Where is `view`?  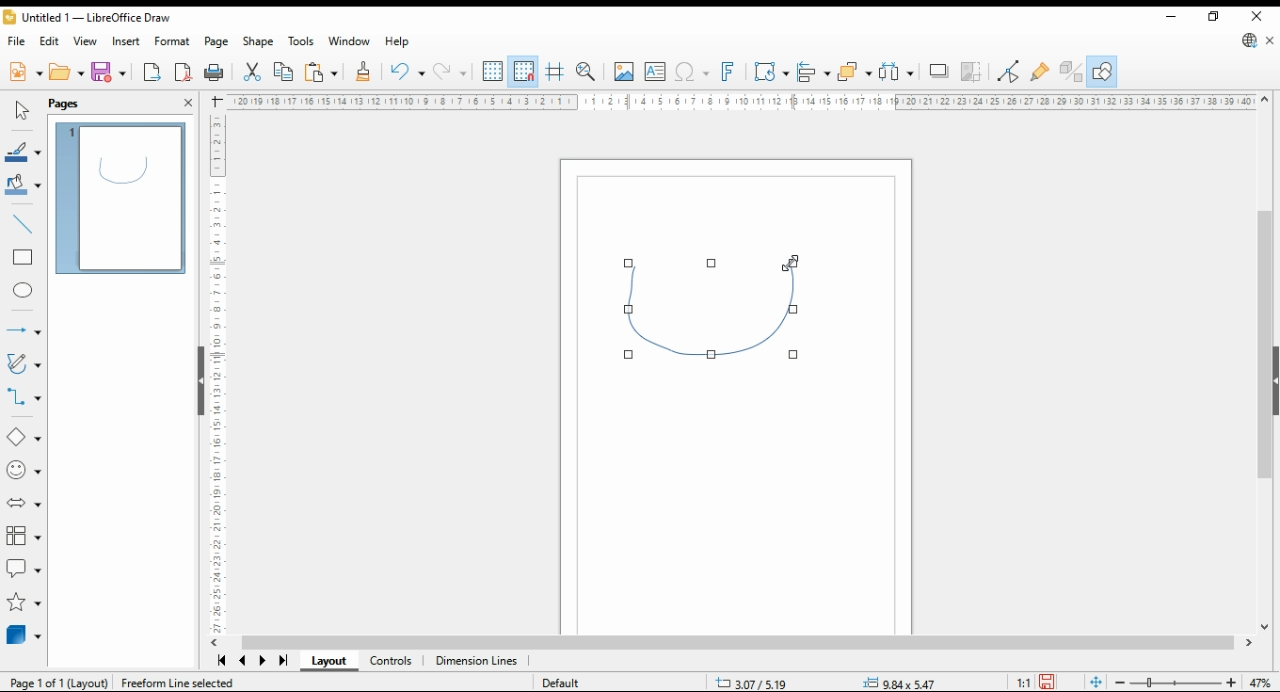
view is located at coordinates (84, 40).